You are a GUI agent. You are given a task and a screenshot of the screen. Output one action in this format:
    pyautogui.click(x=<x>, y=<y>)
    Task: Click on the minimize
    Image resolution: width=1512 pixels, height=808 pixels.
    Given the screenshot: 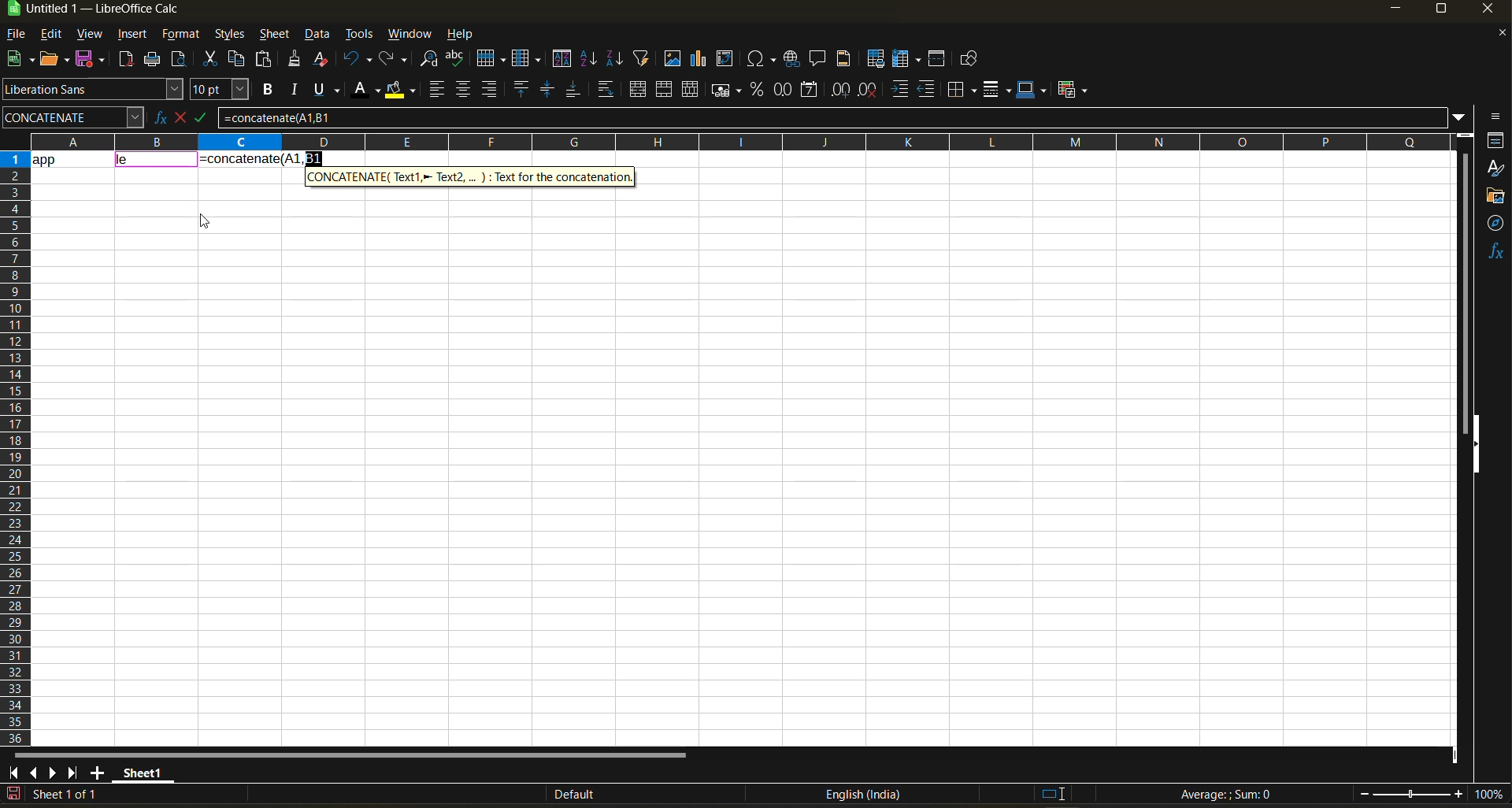 What is the action you would take?
    pyautogui.click(x=1394, y=9)
    